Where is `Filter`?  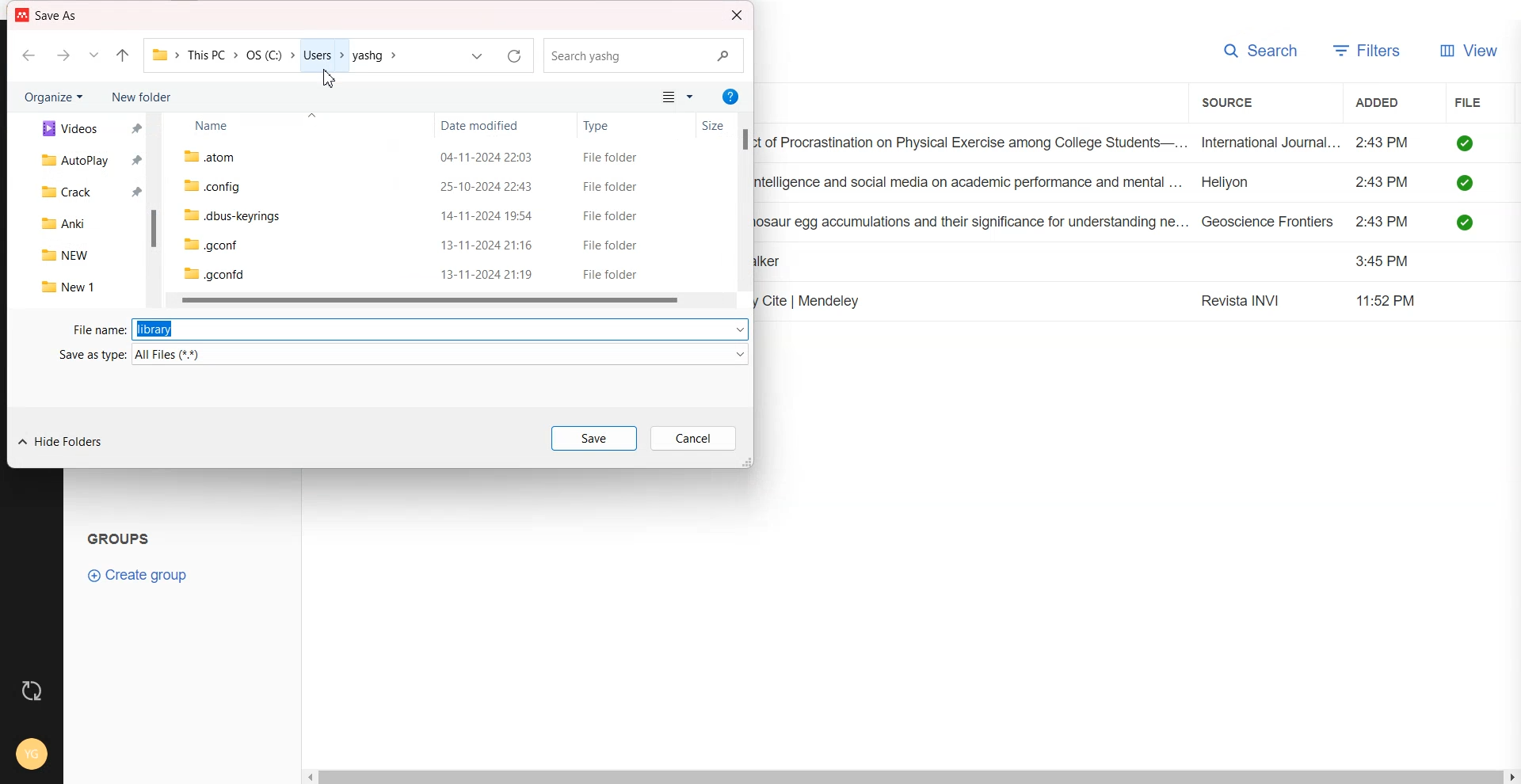
Filter is located at coordinates (1368, 51).